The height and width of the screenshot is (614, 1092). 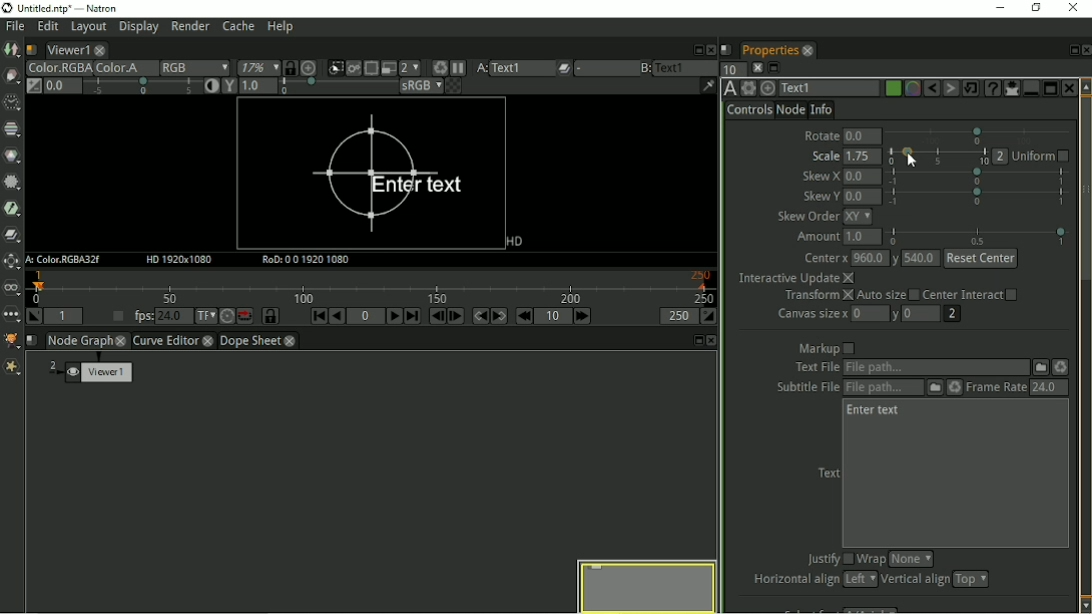 What do you see at coordinates (12, 129) in the screenshot?
I see `Channel` at bounding box center [12, 129].